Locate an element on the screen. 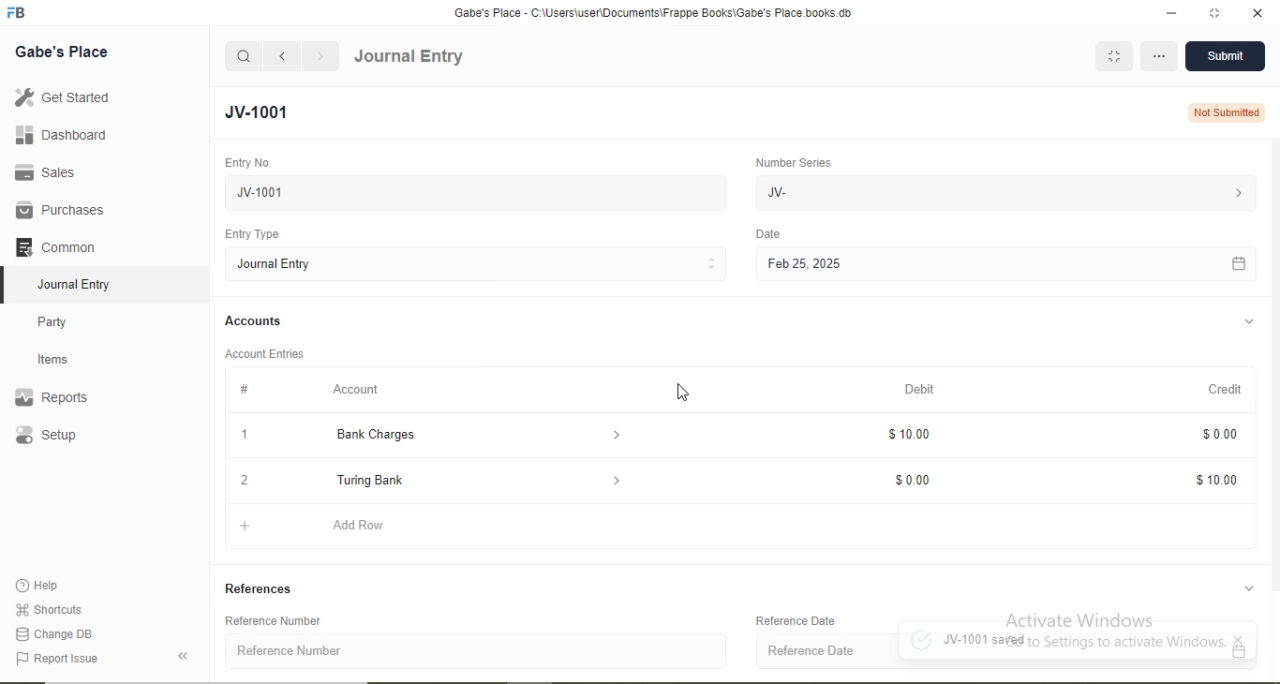 The image size is (1280, 684). Items is located at coordinates (65, 359).